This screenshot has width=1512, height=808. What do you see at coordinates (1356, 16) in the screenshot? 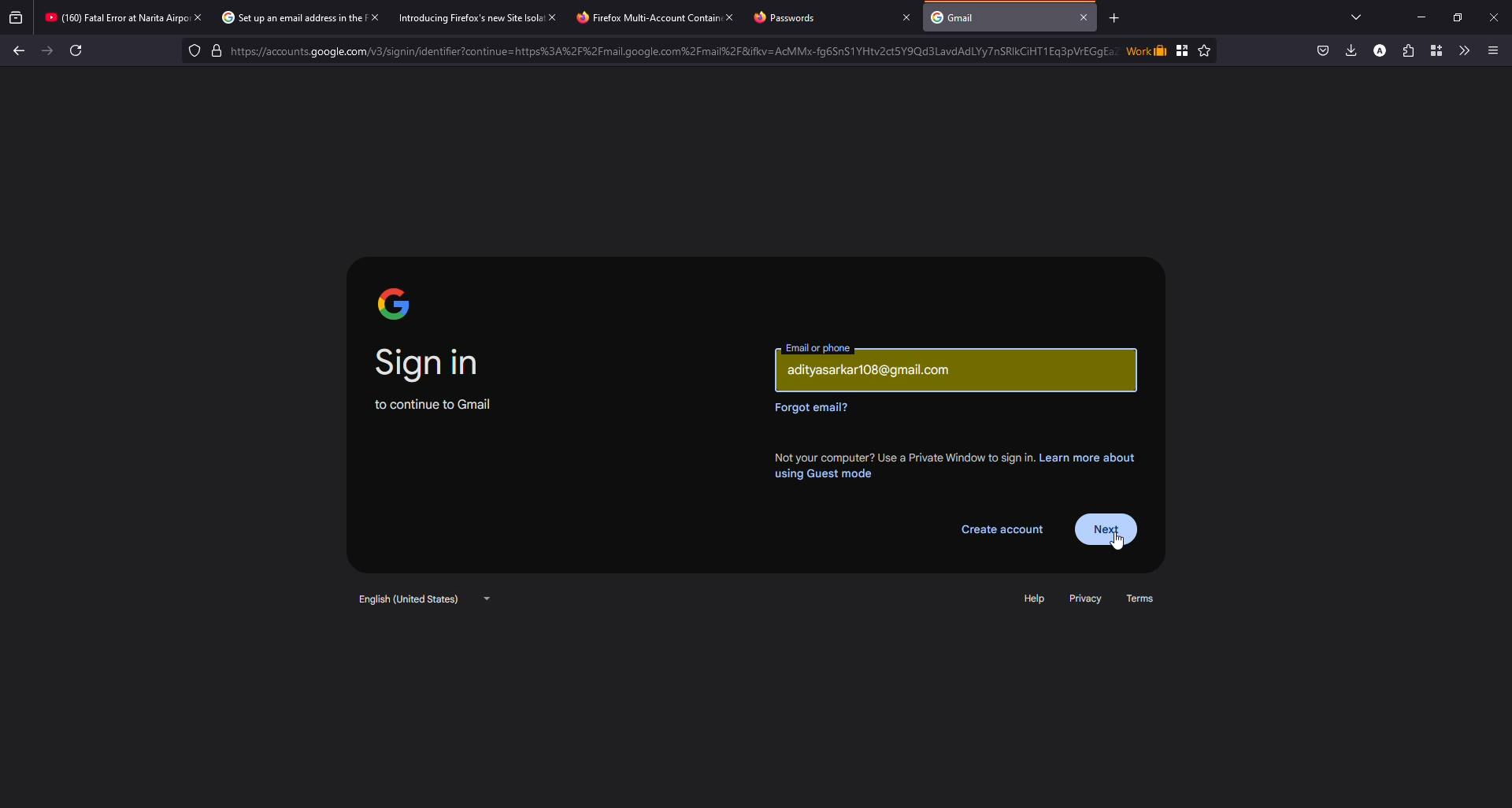
I see `tabs` at bounding box center [1356, 16].